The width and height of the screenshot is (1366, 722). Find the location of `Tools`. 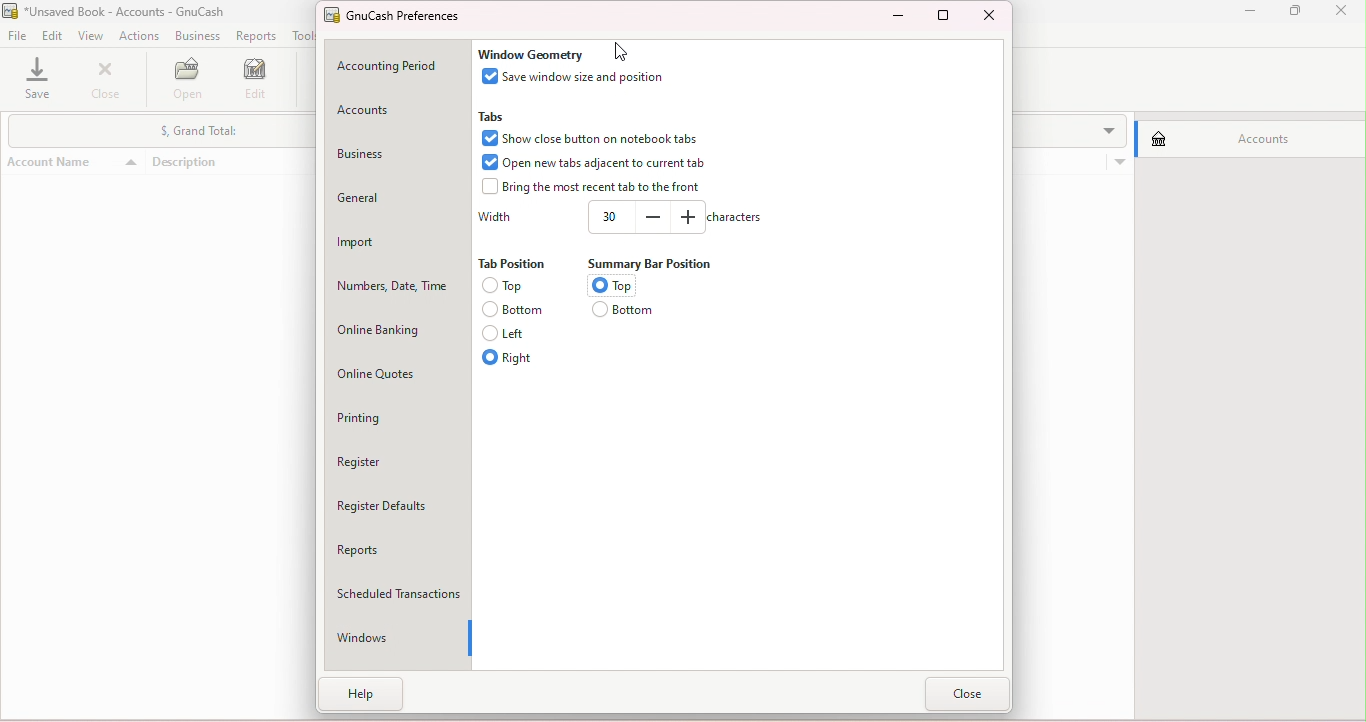

Tools is located at coordinates (306, 35).